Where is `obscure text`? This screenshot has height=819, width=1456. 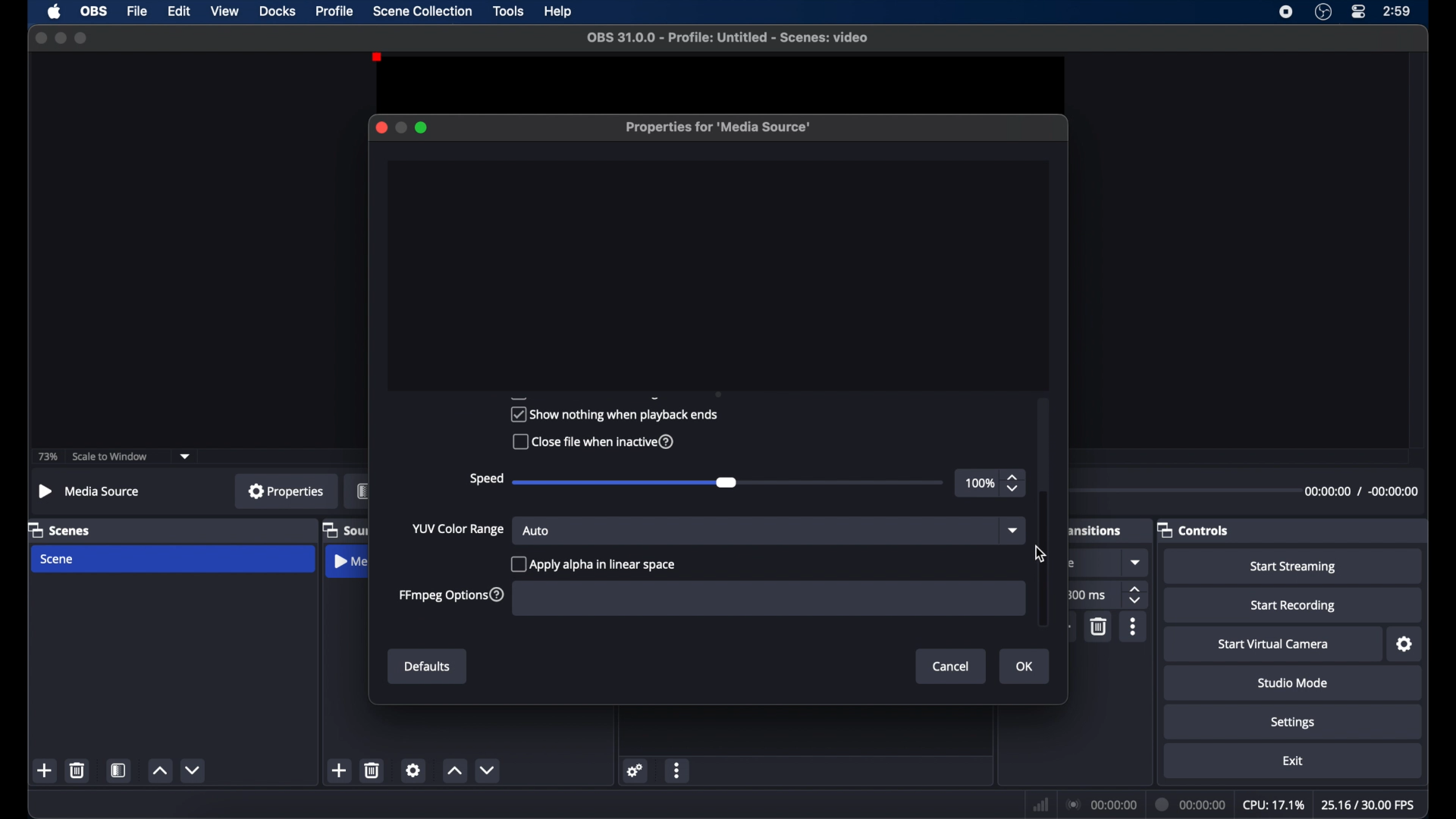
obscure text is located at coordinates (1069, 563).